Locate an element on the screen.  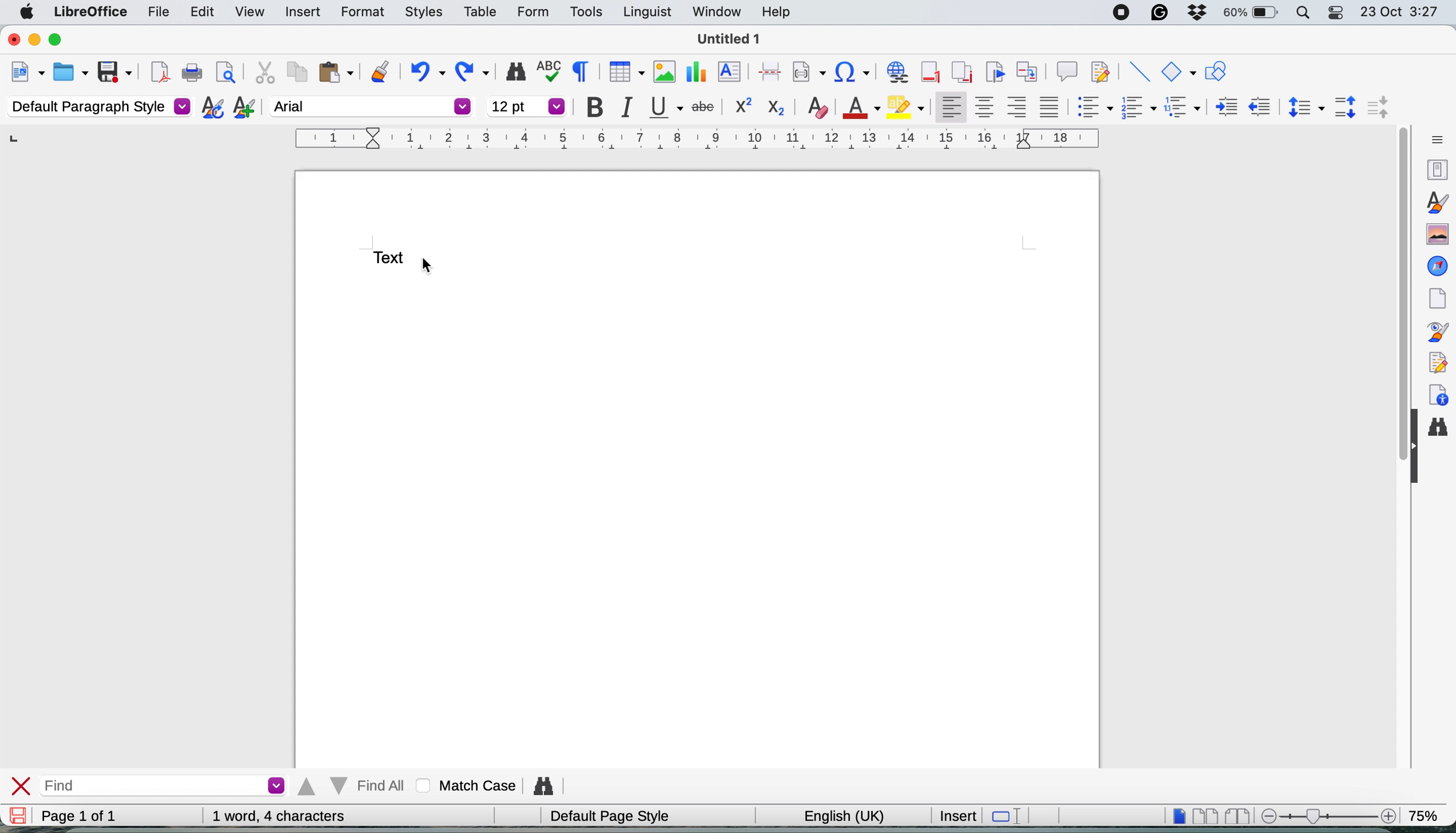
sub script is located at coordinates (778, 106).